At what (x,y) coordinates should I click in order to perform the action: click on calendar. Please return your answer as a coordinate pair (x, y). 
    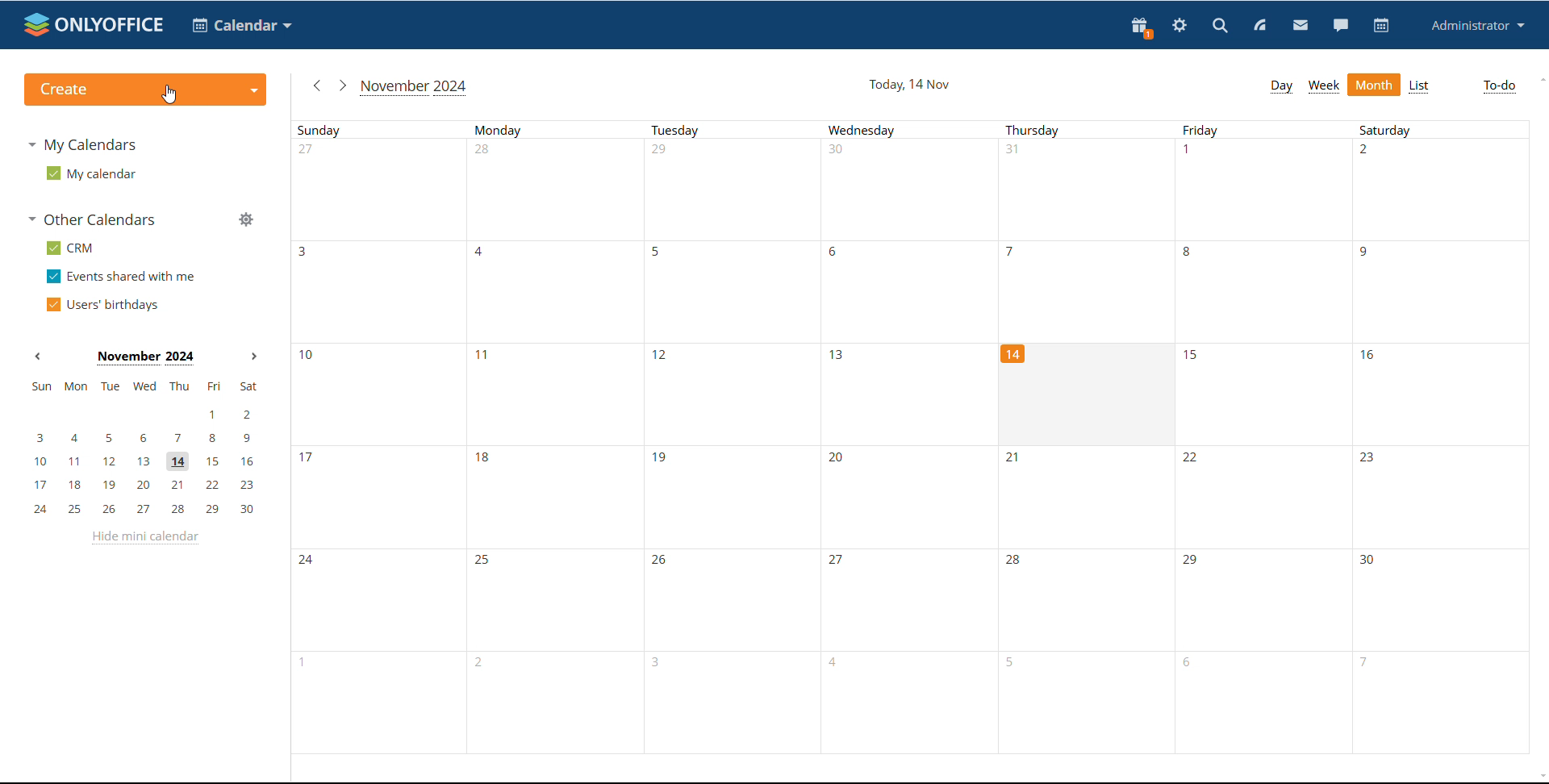
    Looking at the image, I should click on (242, 25).